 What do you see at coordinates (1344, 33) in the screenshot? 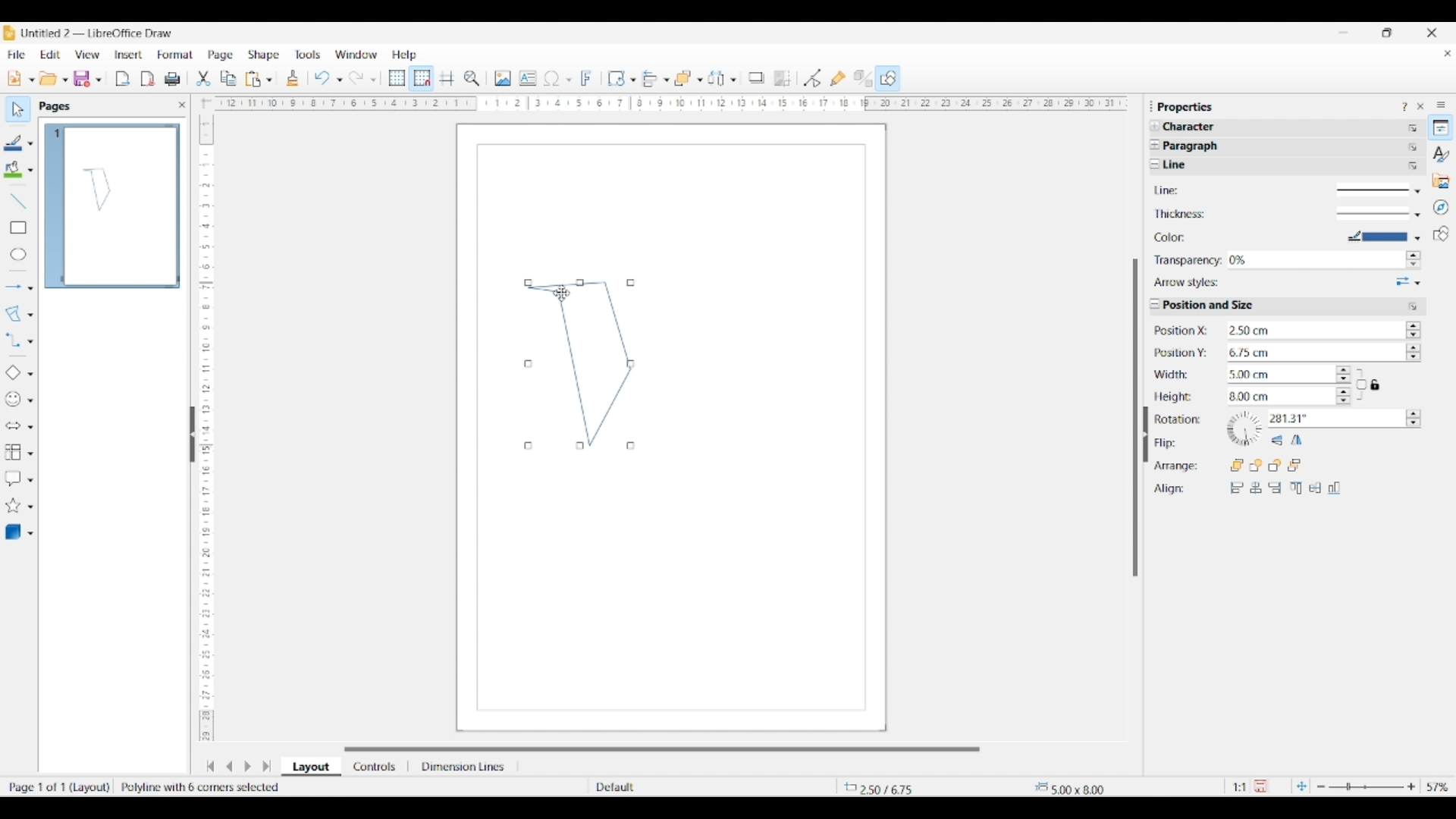
I see `Minimize` at bounding box center [1344, 33].